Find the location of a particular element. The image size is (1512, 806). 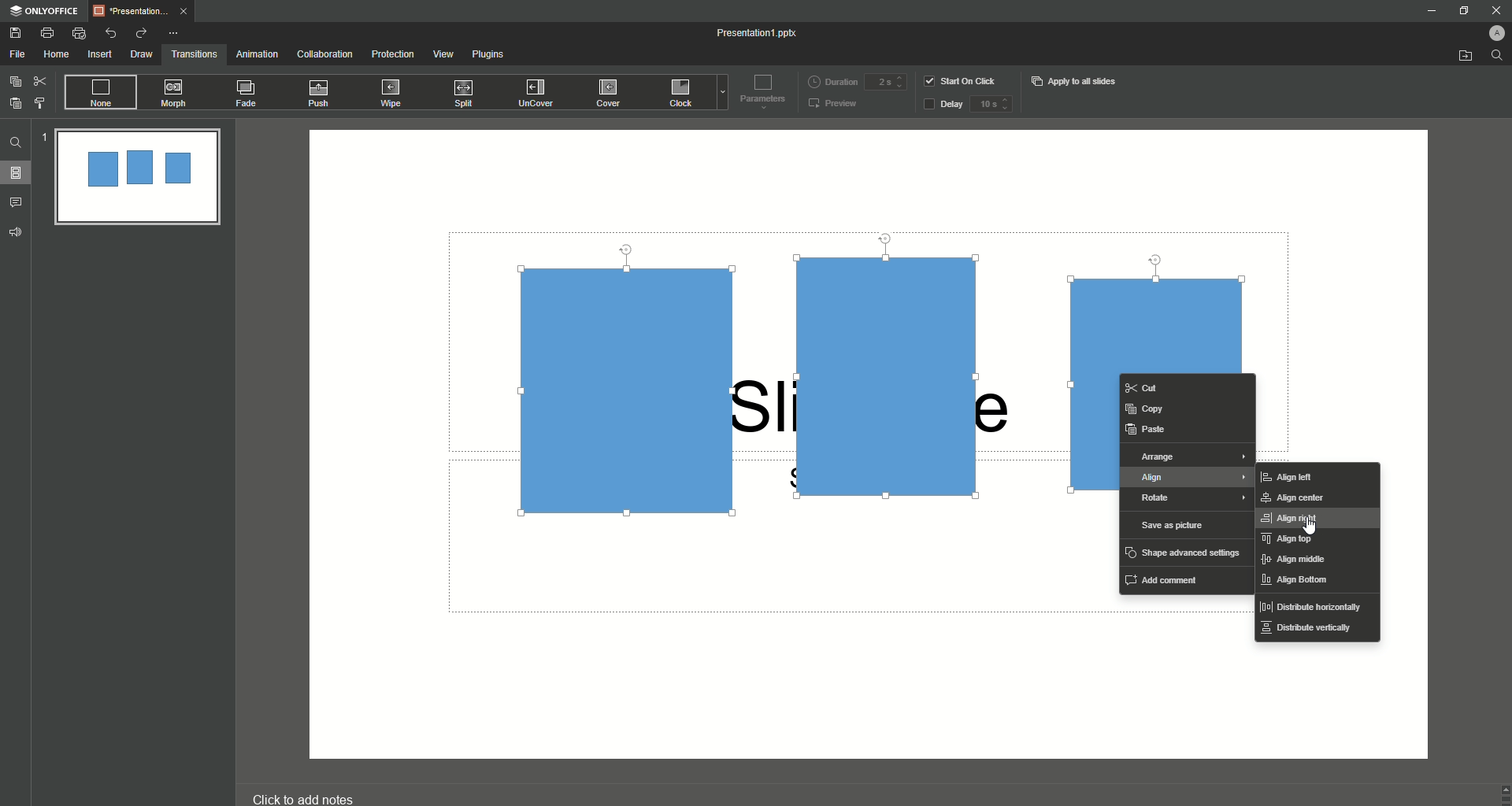

Save is located at coordinates (16, 33).